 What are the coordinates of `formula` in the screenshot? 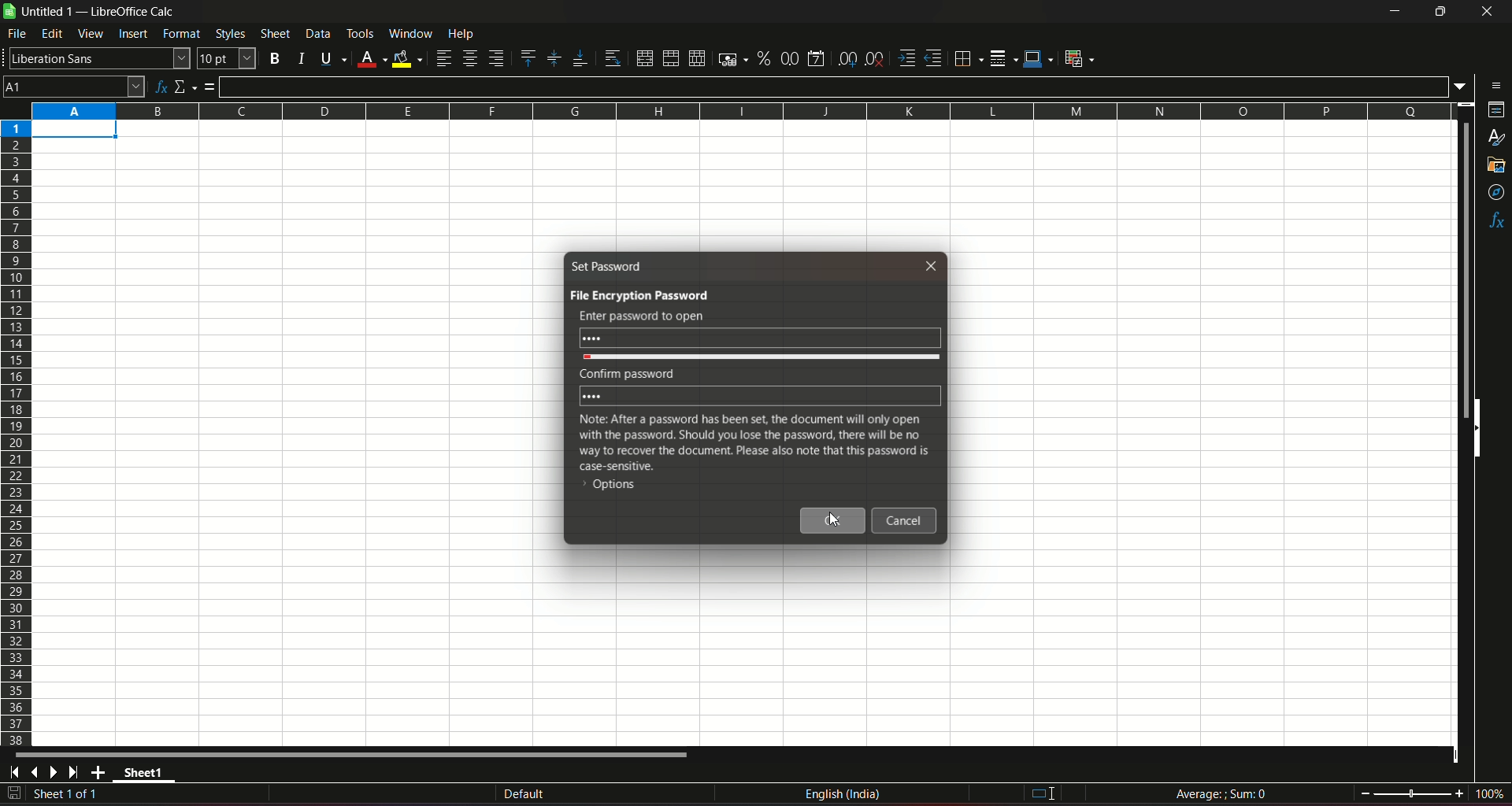 It's located at (212, 87).